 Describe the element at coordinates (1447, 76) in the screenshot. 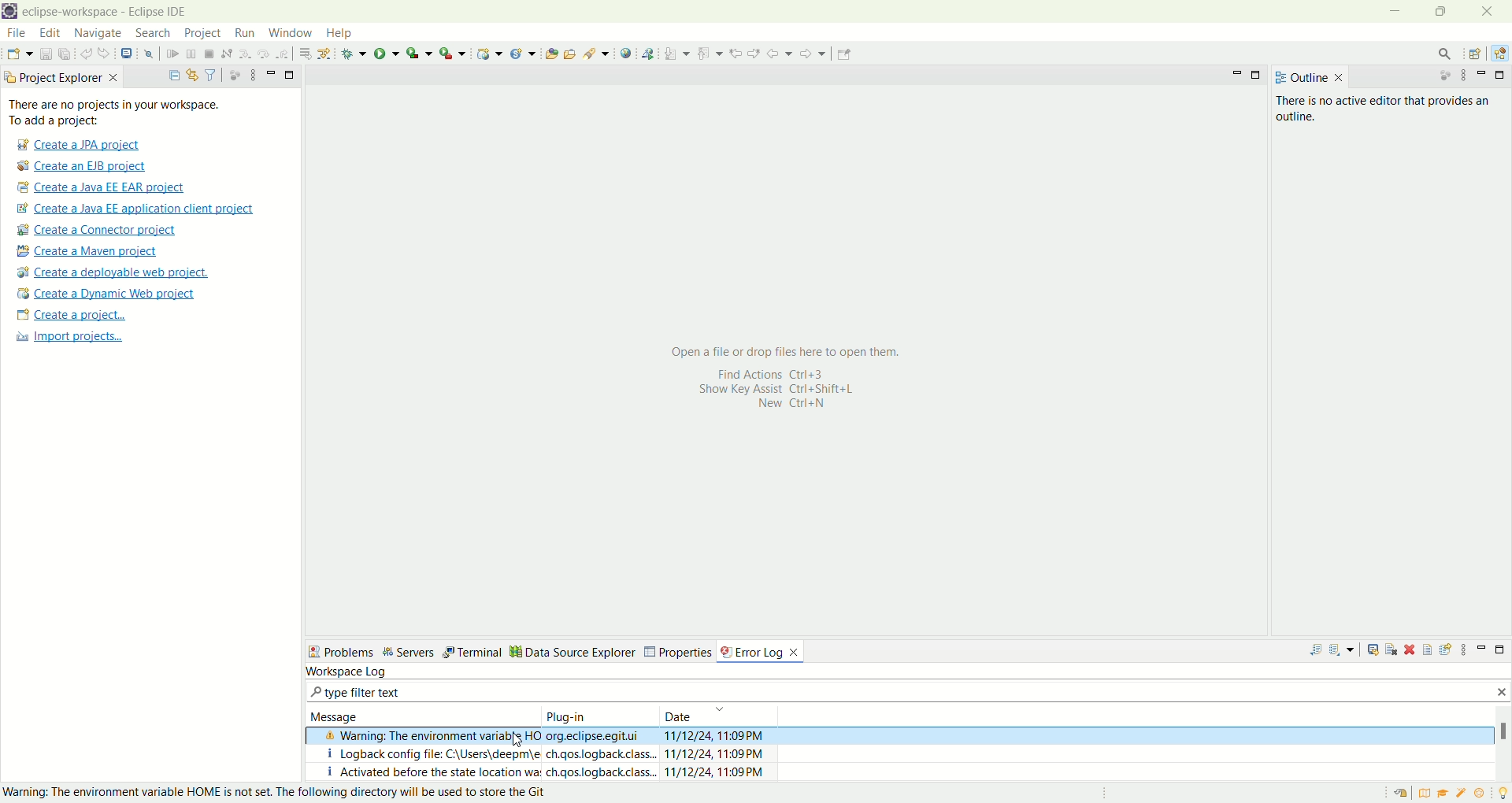

I see `focus on active task` at that location.